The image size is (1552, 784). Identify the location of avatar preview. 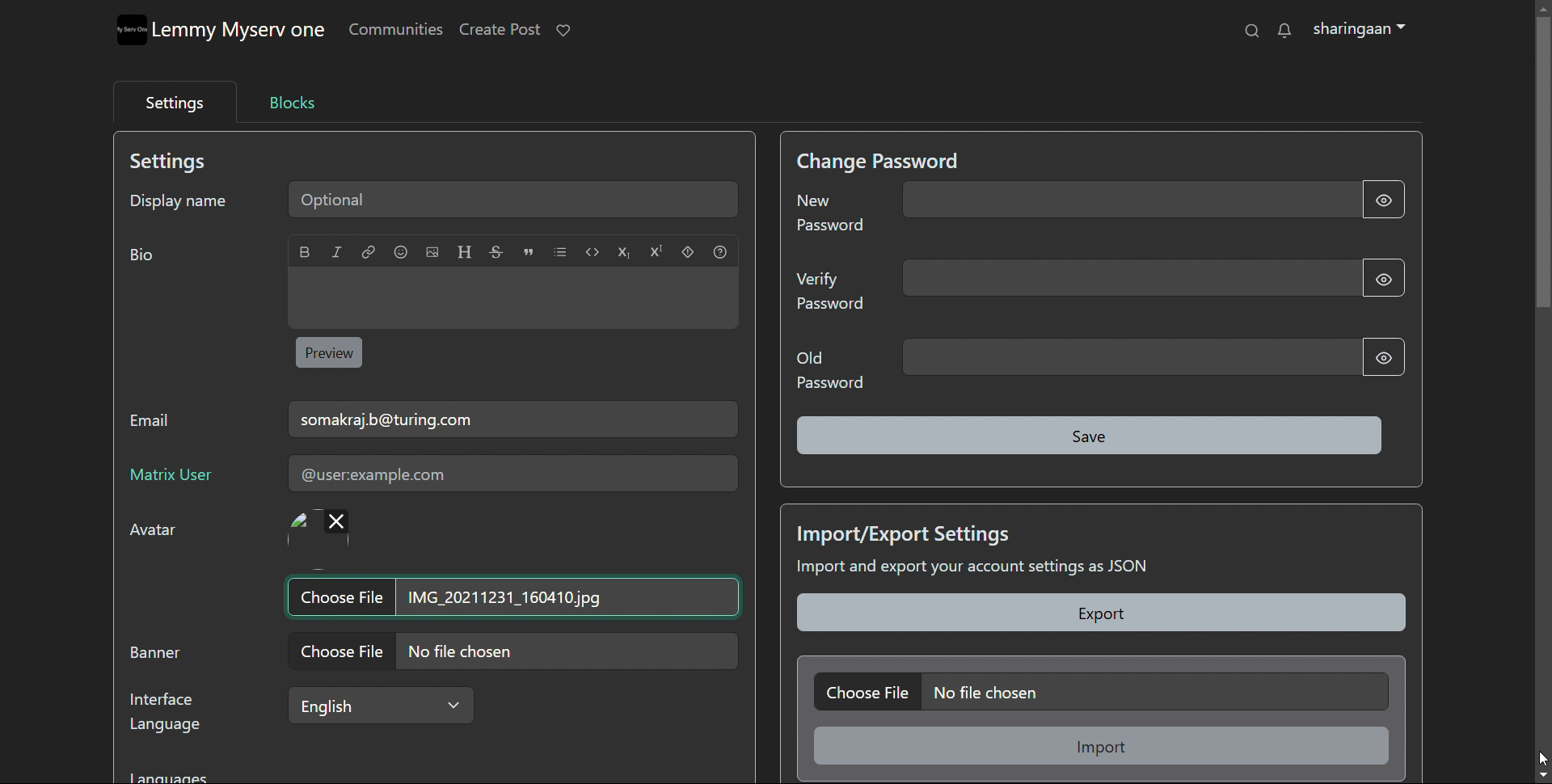
(299, 528).